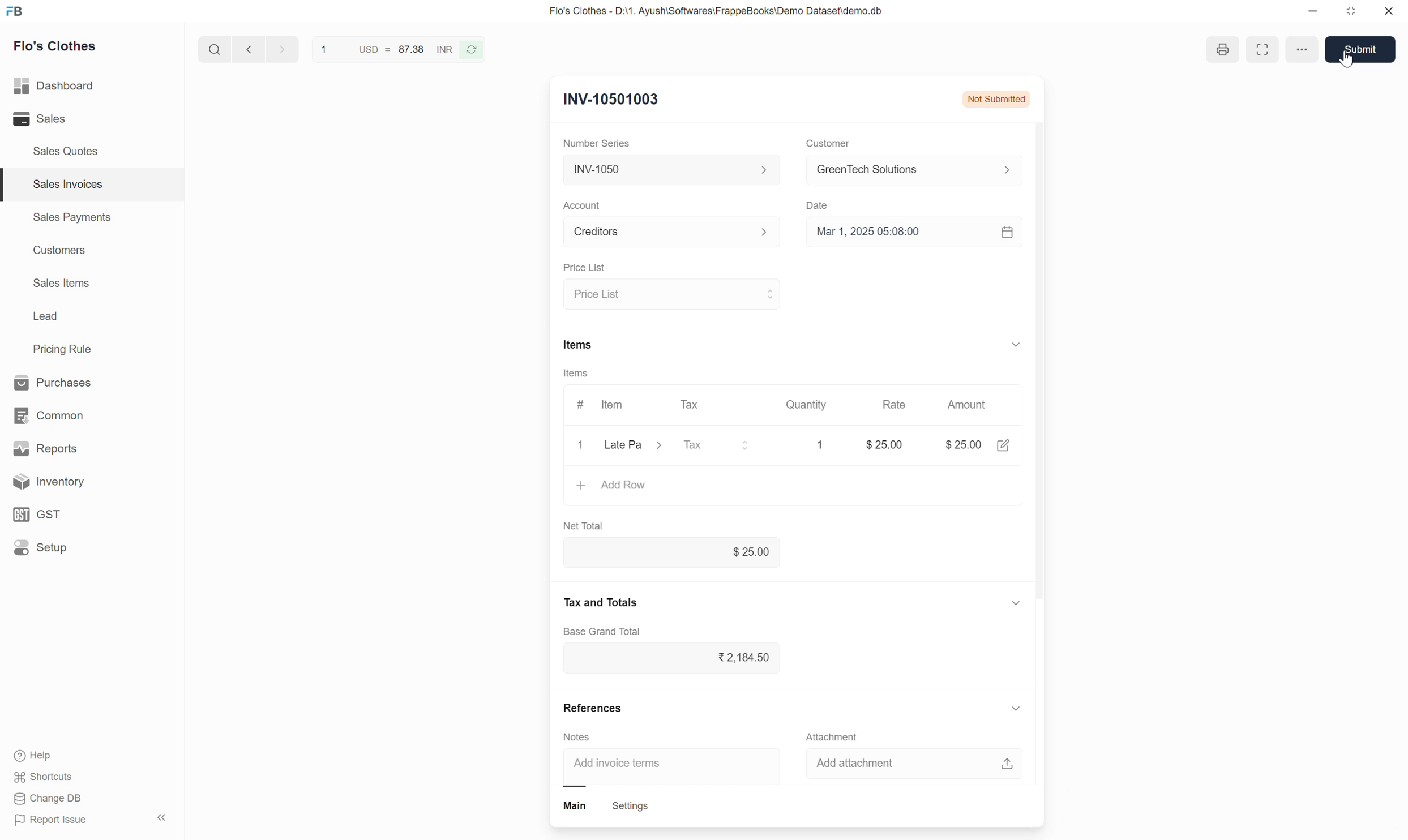  I want to click on minimize , so click(1318, 12).